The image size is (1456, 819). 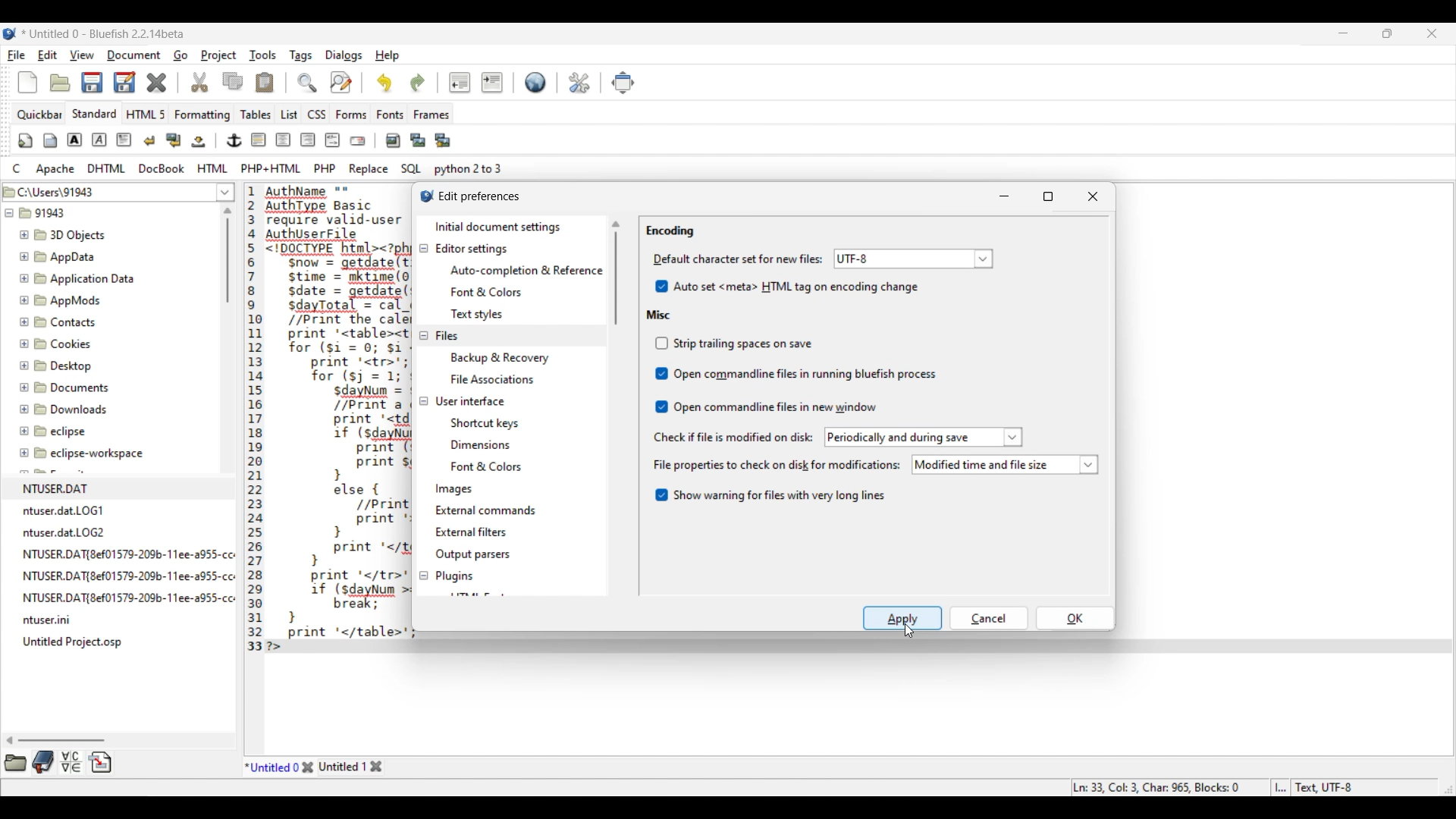 What do you see at coordinates (350, 766) in the screenshot?
I see `Other tab` at bounding box center [350, 766].